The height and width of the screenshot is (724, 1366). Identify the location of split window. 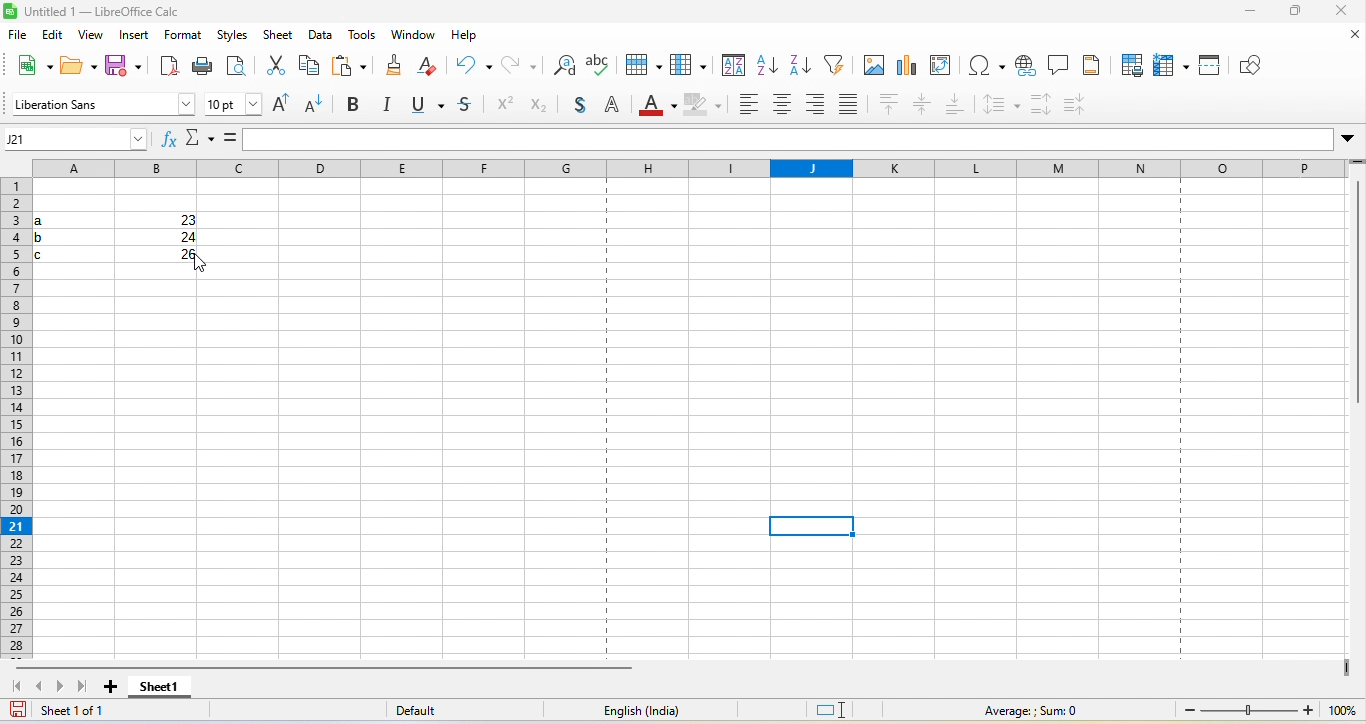
(1209, 65).